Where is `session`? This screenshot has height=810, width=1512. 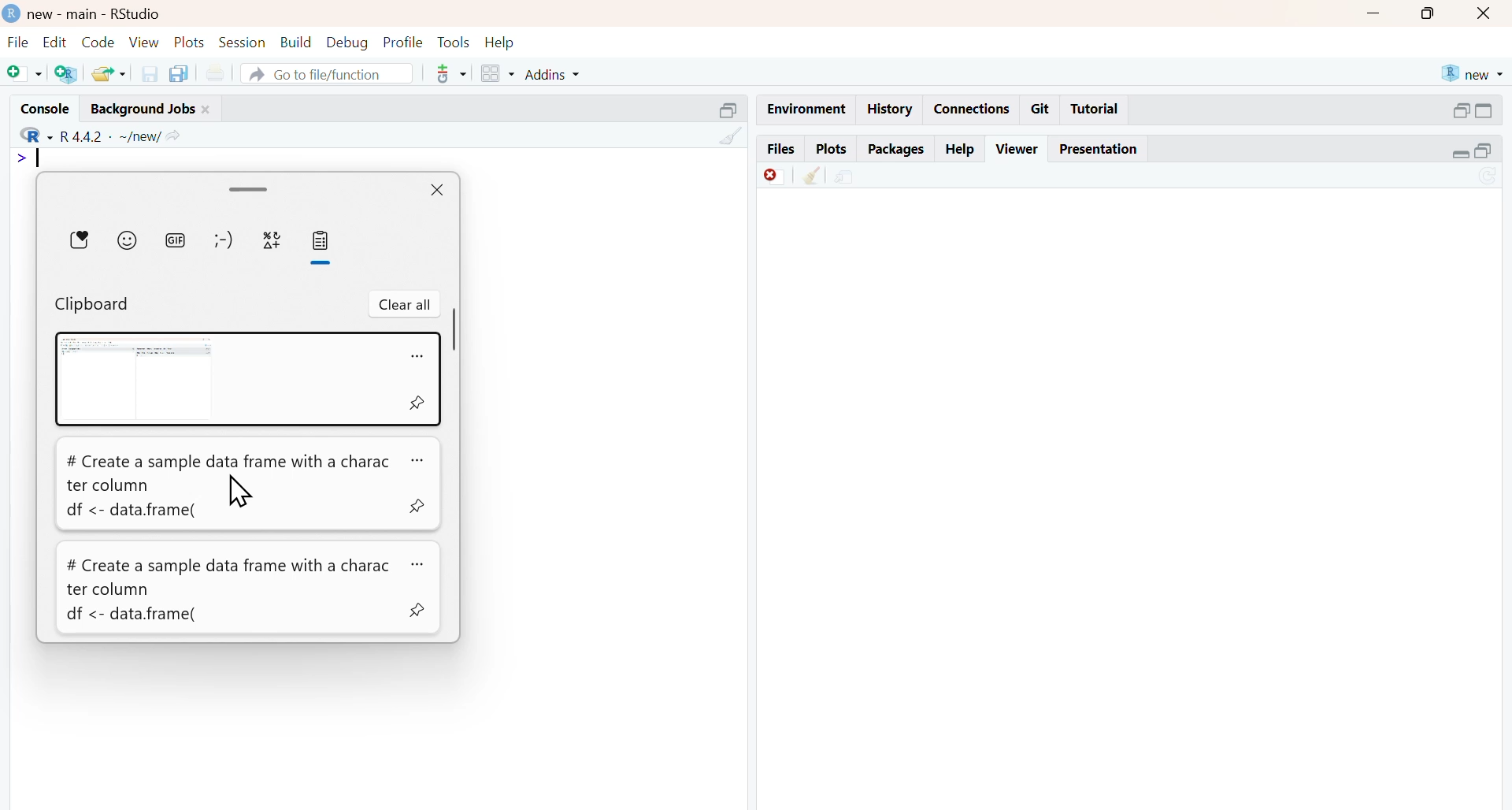
session is located at coordinates (241, 43).